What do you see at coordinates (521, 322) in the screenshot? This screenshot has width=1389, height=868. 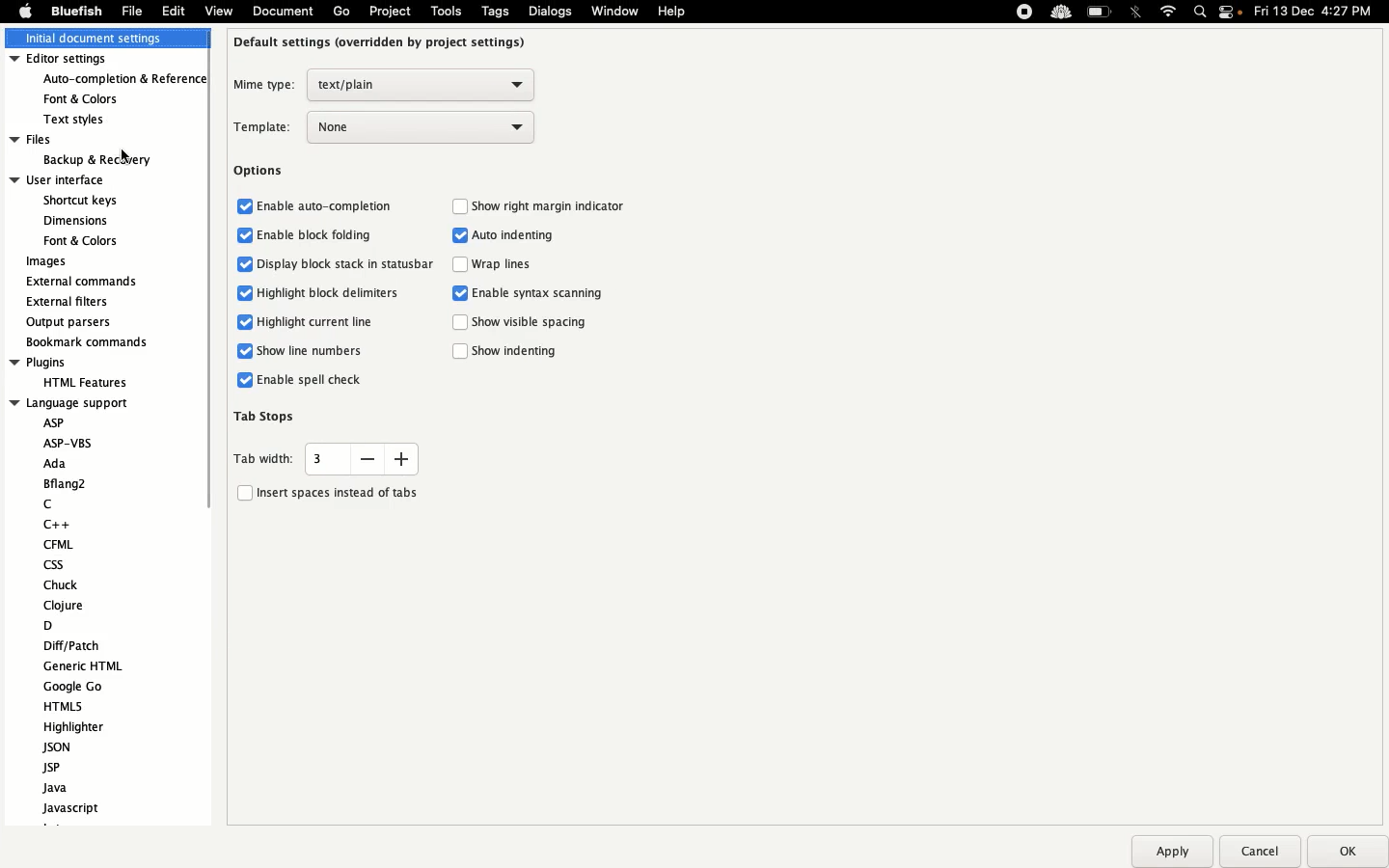 I see `Show visible spacing` at bounding box center [521, 322].